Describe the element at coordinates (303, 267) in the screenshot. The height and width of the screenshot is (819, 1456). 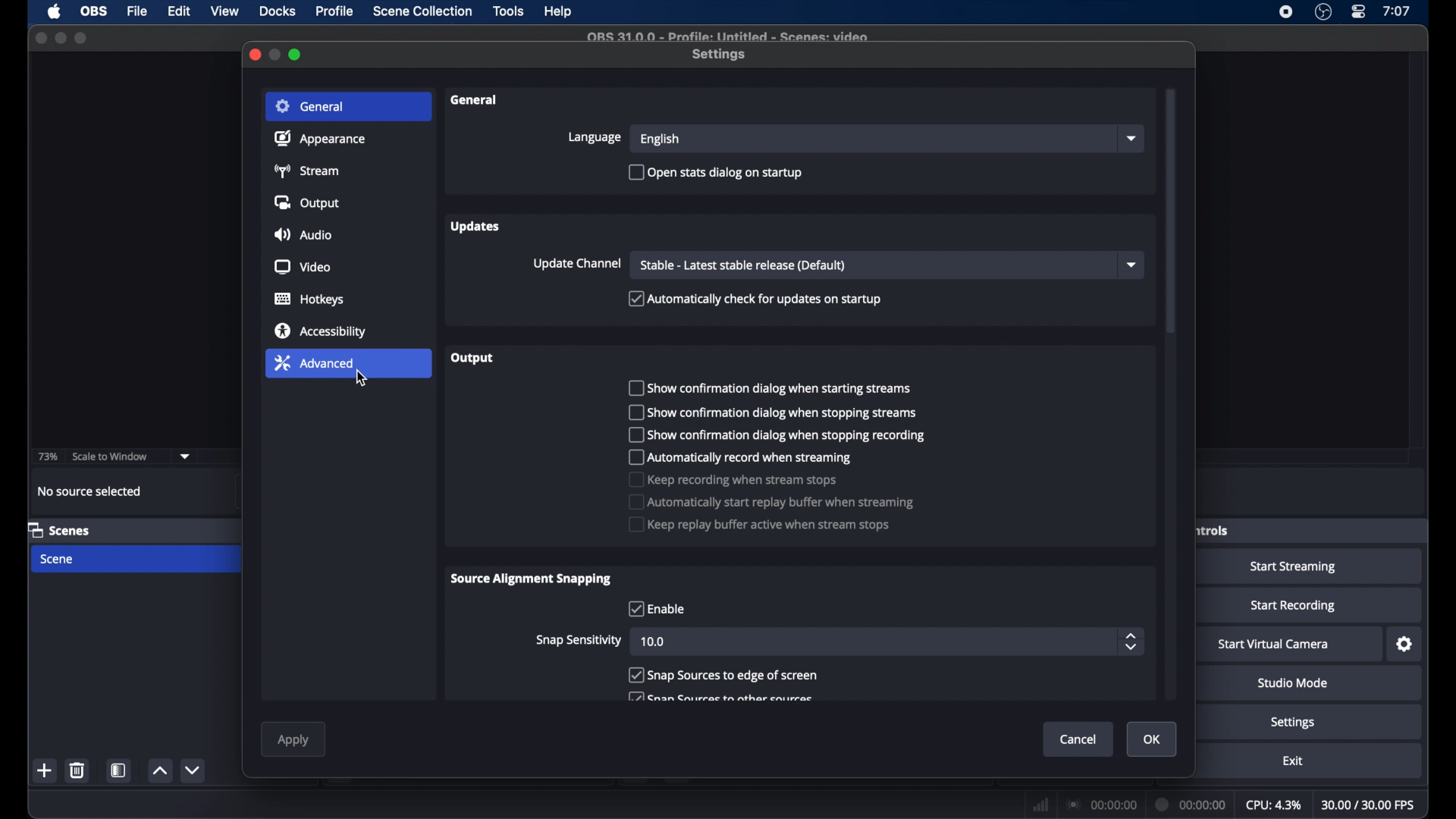
I see `video` at that location.